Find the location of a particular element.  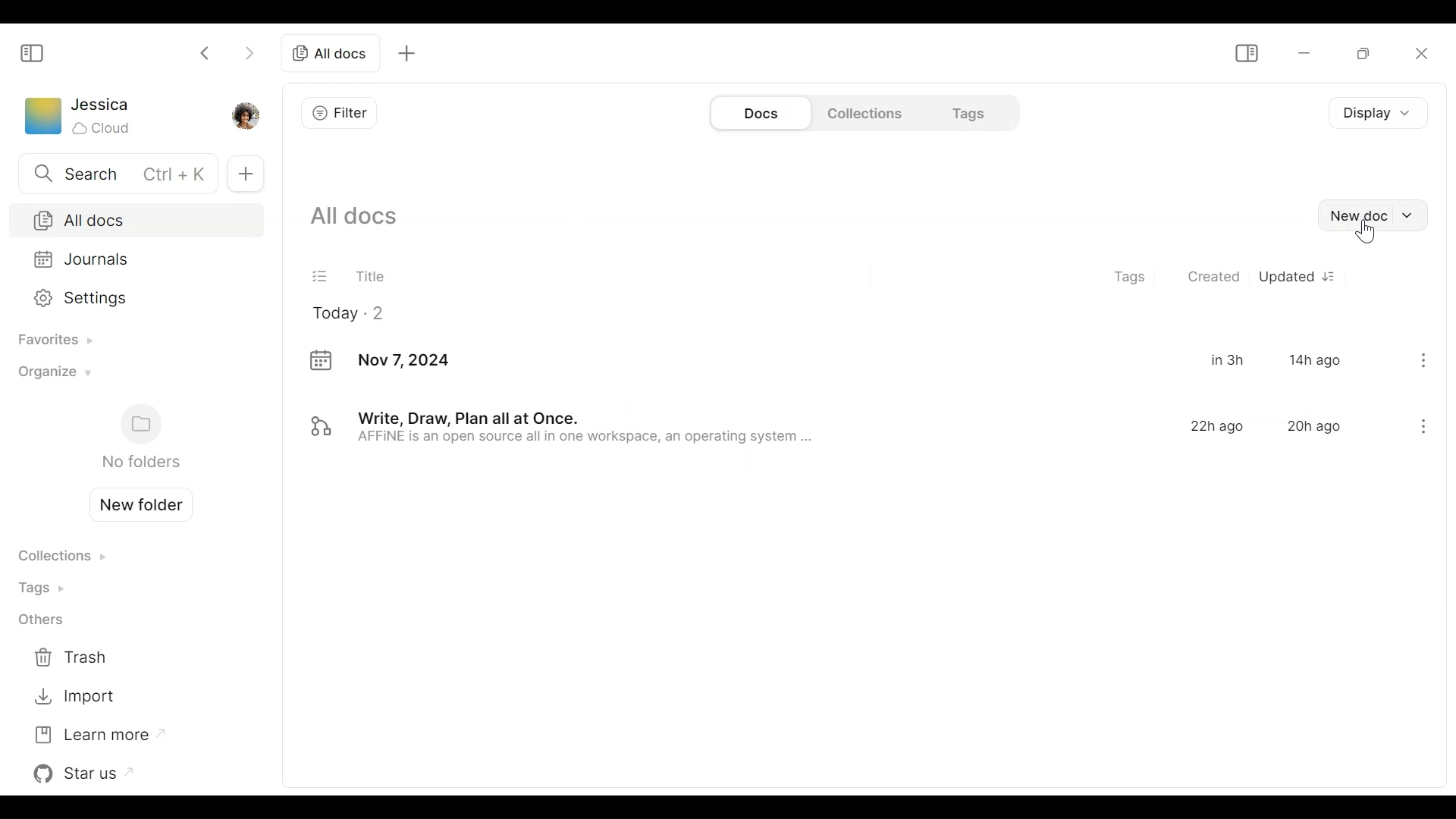

Collections is located at coordinates (858, 112).